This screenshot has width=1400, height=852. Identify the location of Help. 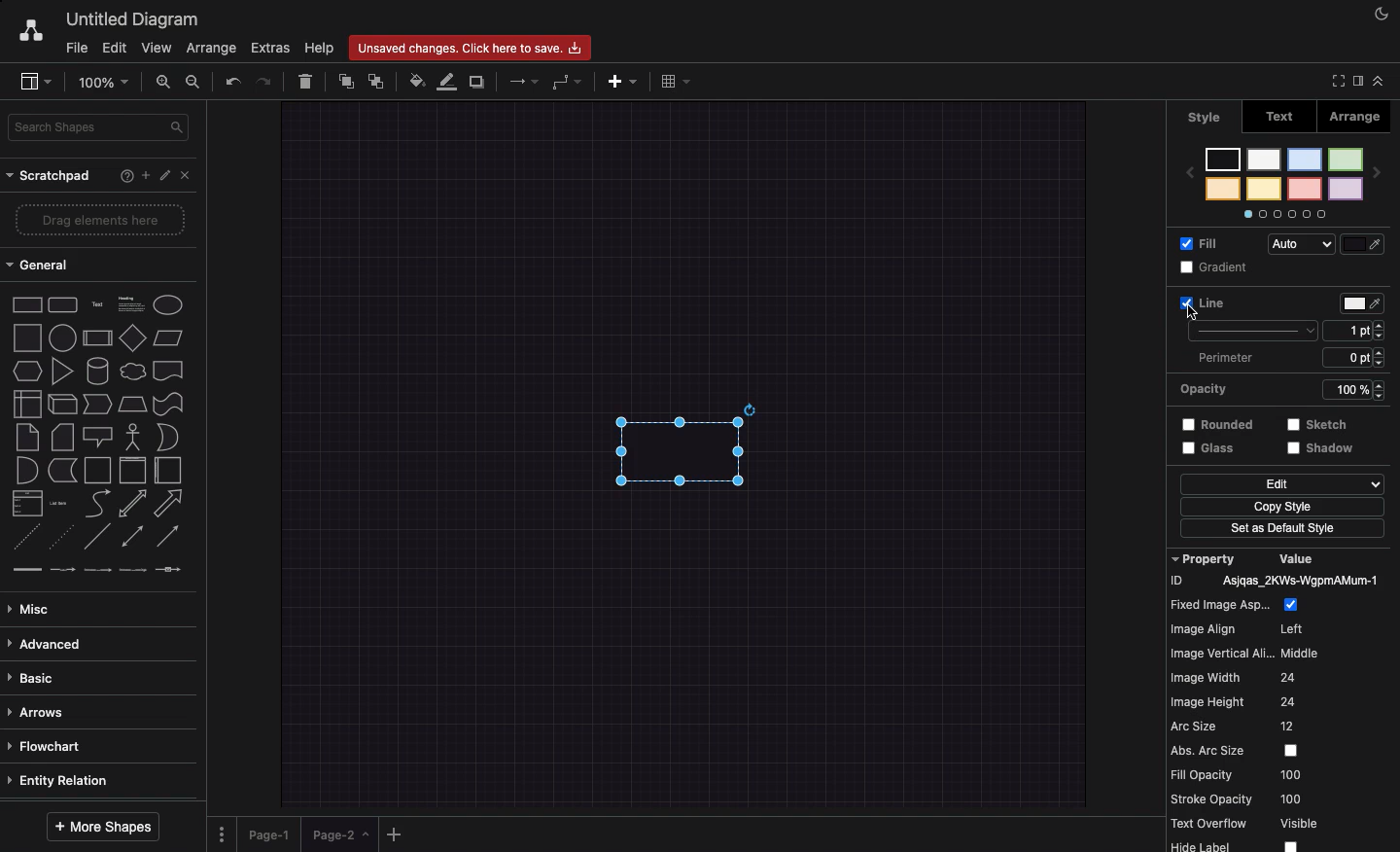
(122, 177).